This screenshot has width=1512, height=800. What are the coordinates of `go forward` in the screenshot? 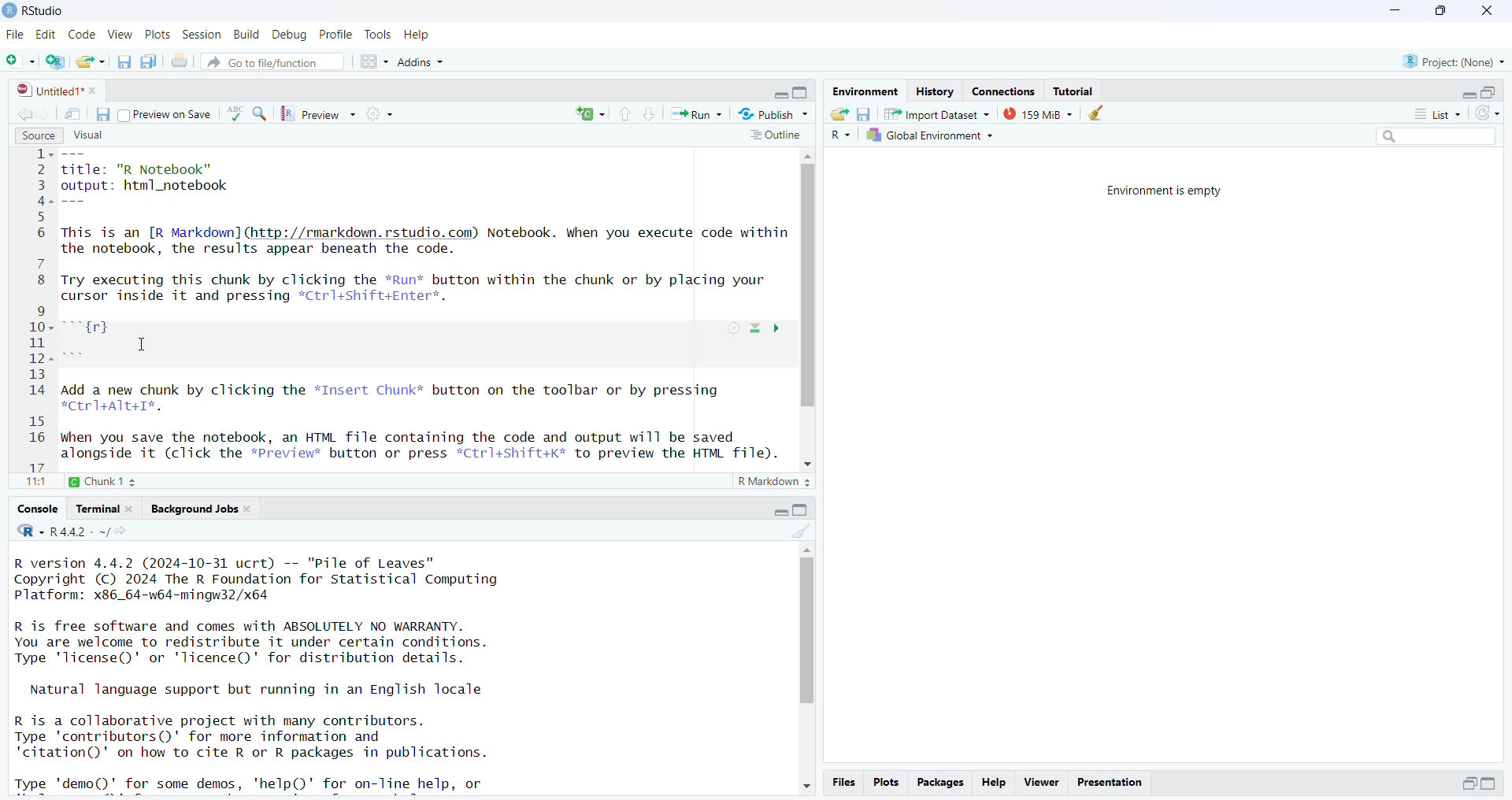 It's located at (46, 113).